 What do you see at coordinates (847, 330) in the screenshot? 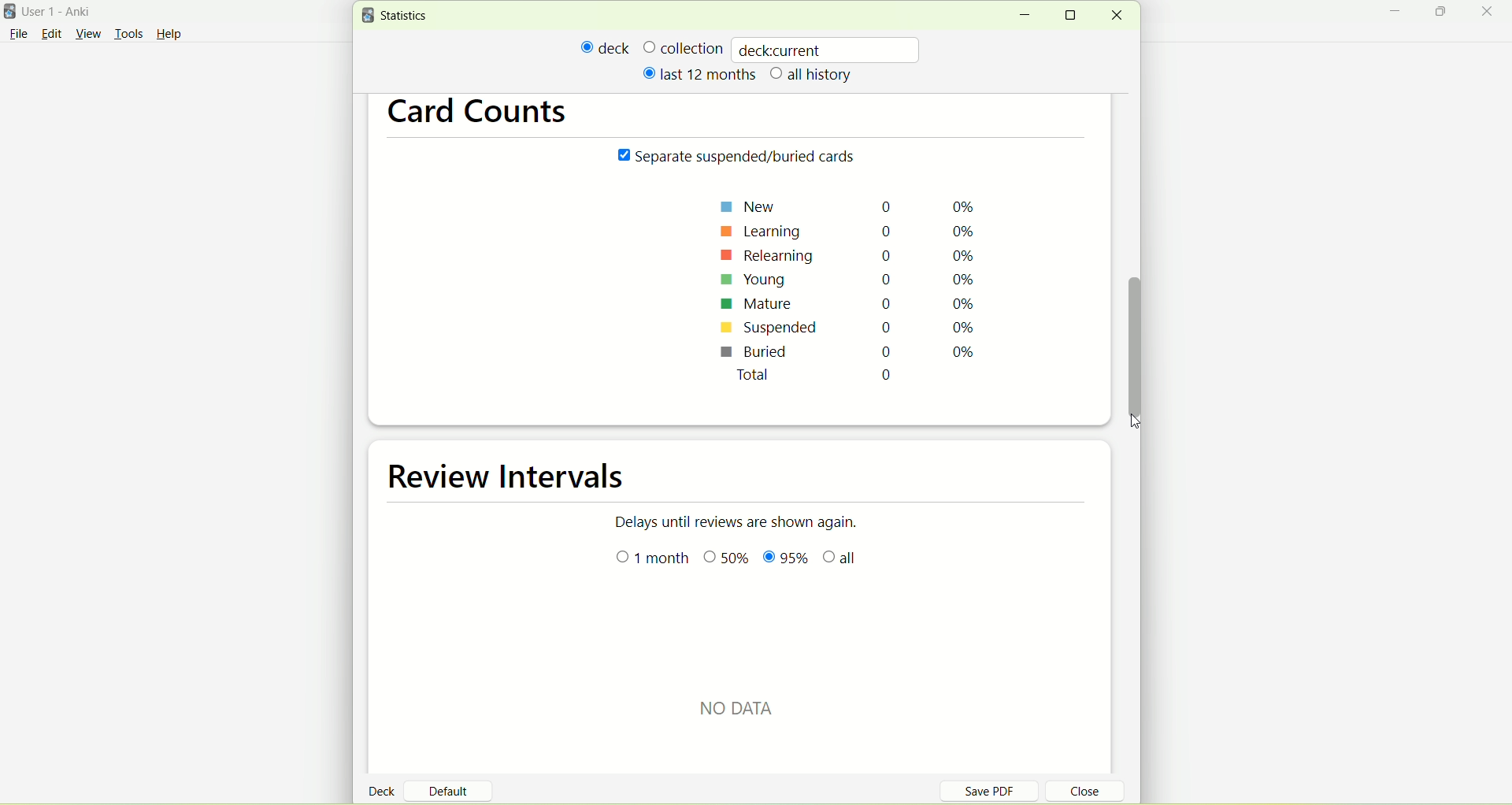
I see `suspended 0 0%` at bounding box center [847, 330].